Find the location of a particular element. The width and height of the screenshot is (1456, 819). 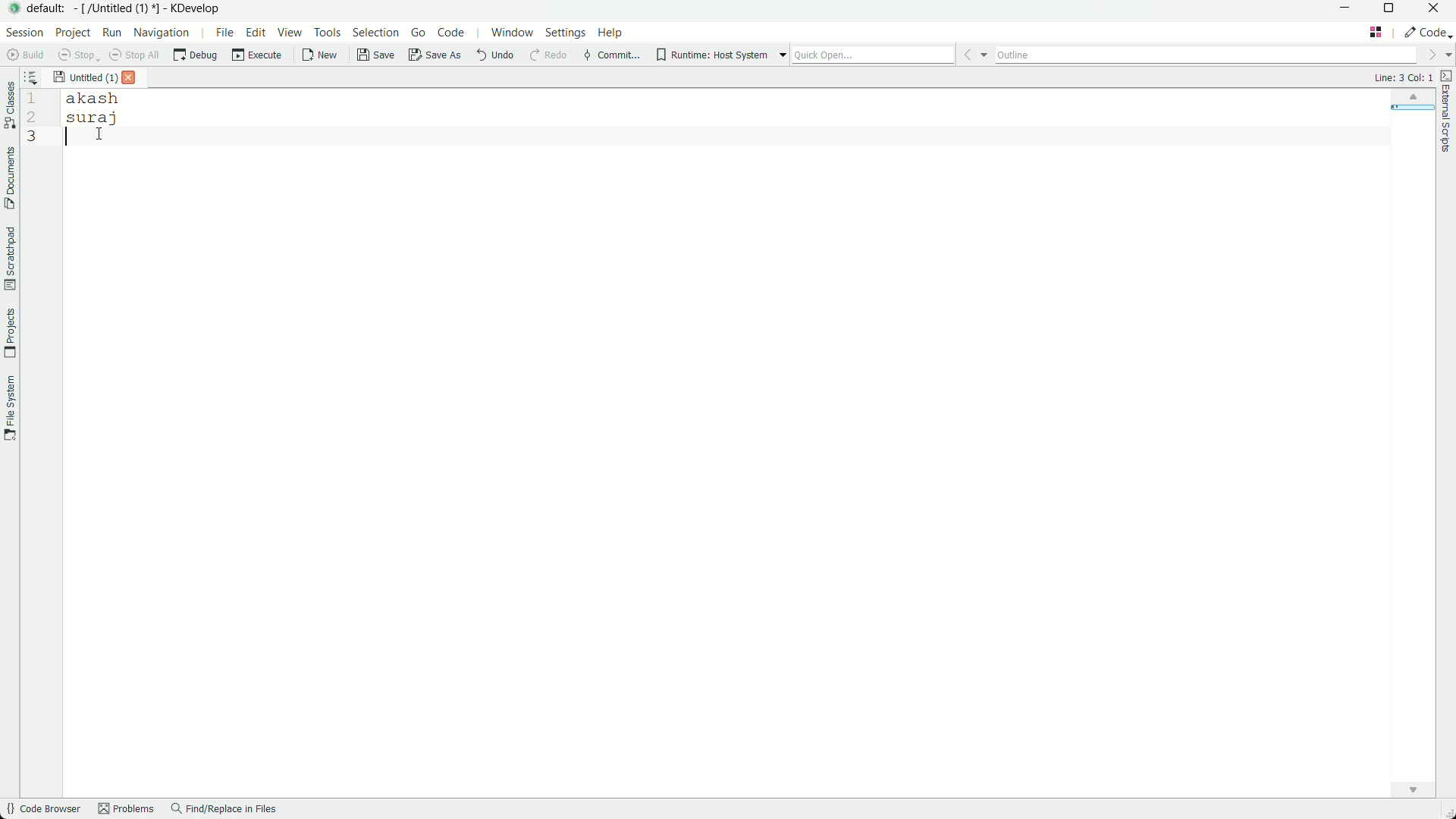

commit is located at coordinates (610, 57).